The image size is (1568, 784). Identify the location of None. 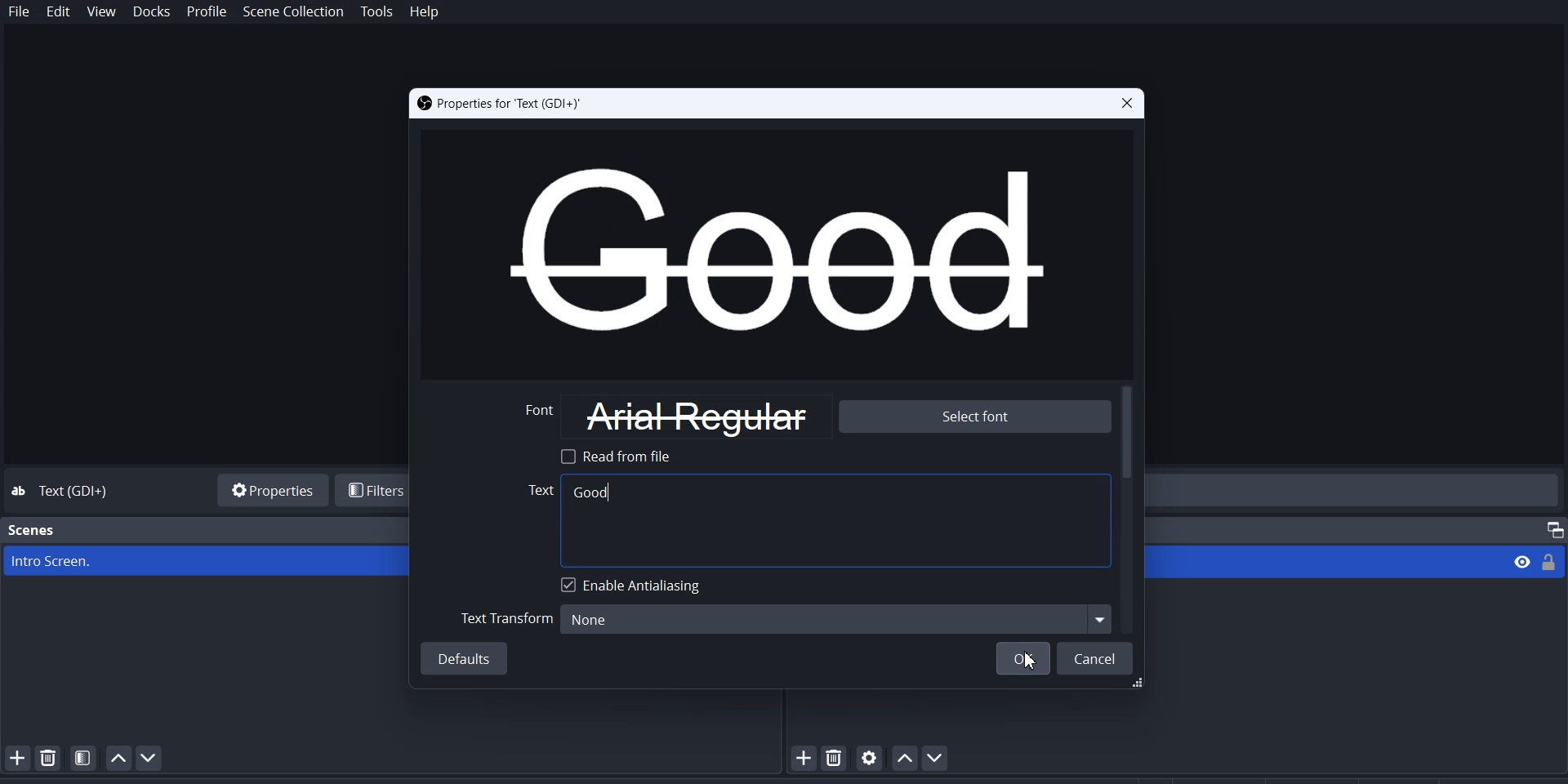
(833, 617).